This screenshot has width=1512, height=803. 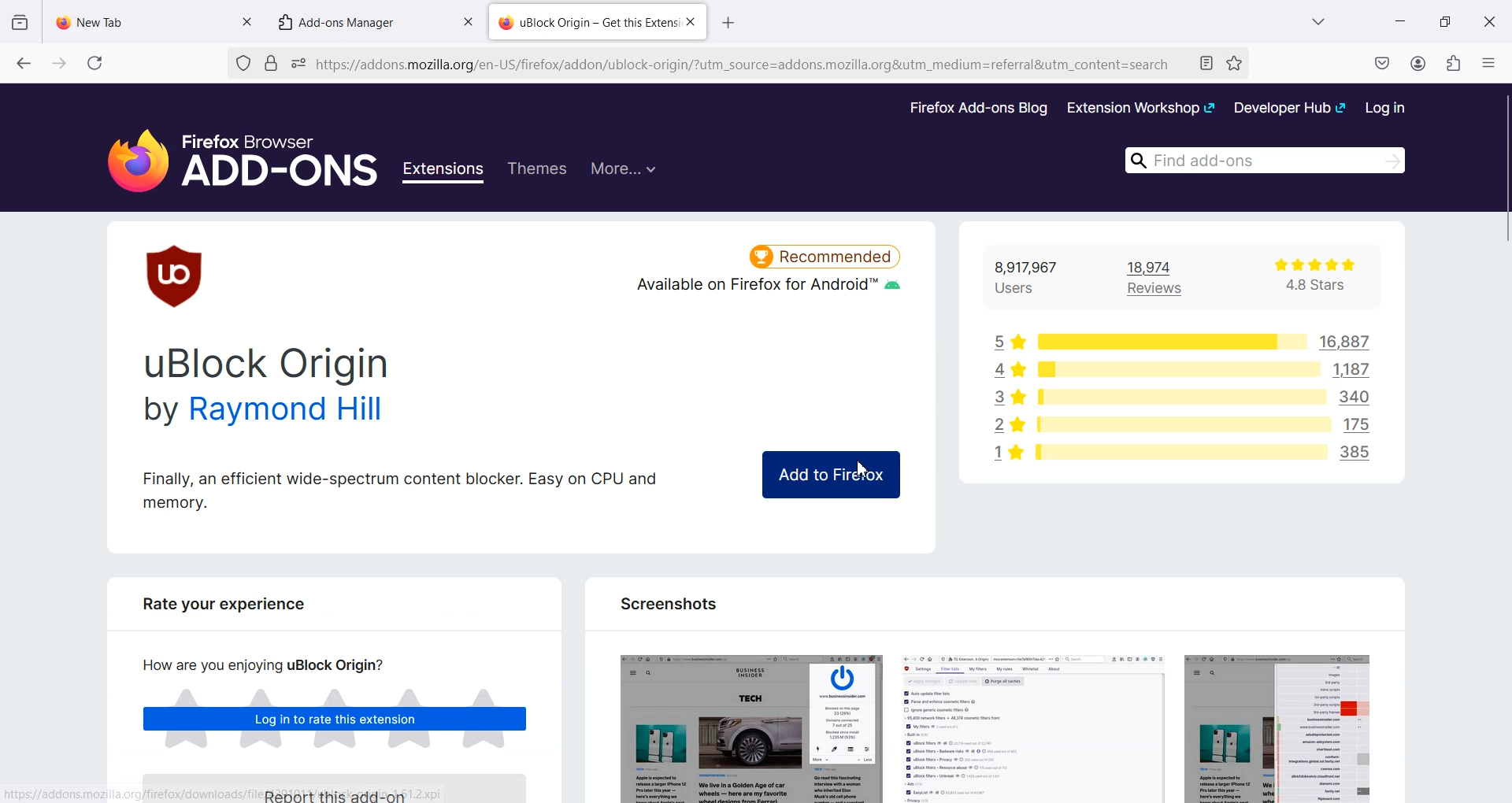 I want to click on uBlock origin Logo, so click(x=176, y=276).